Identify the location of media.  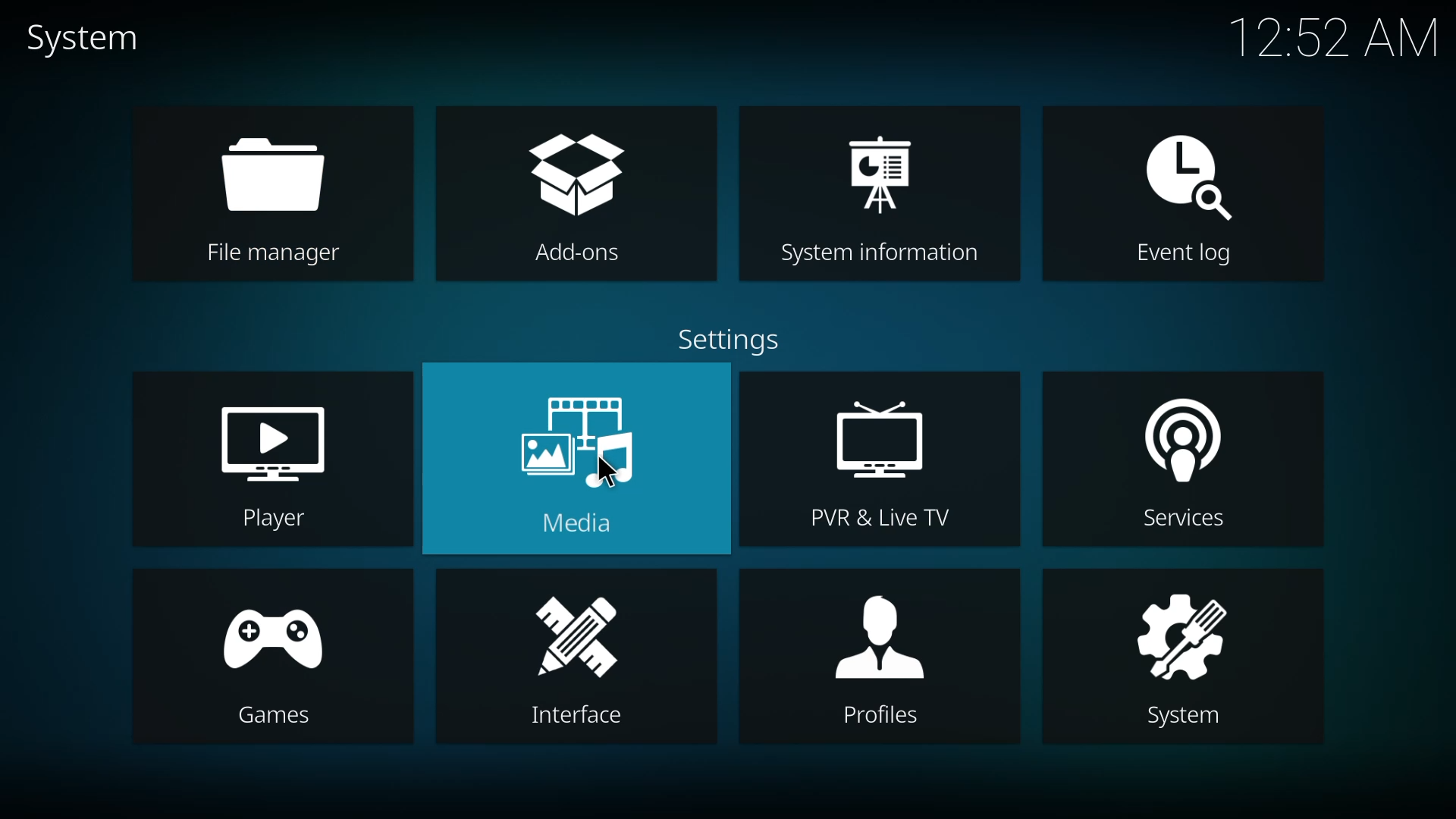
(576, 433).